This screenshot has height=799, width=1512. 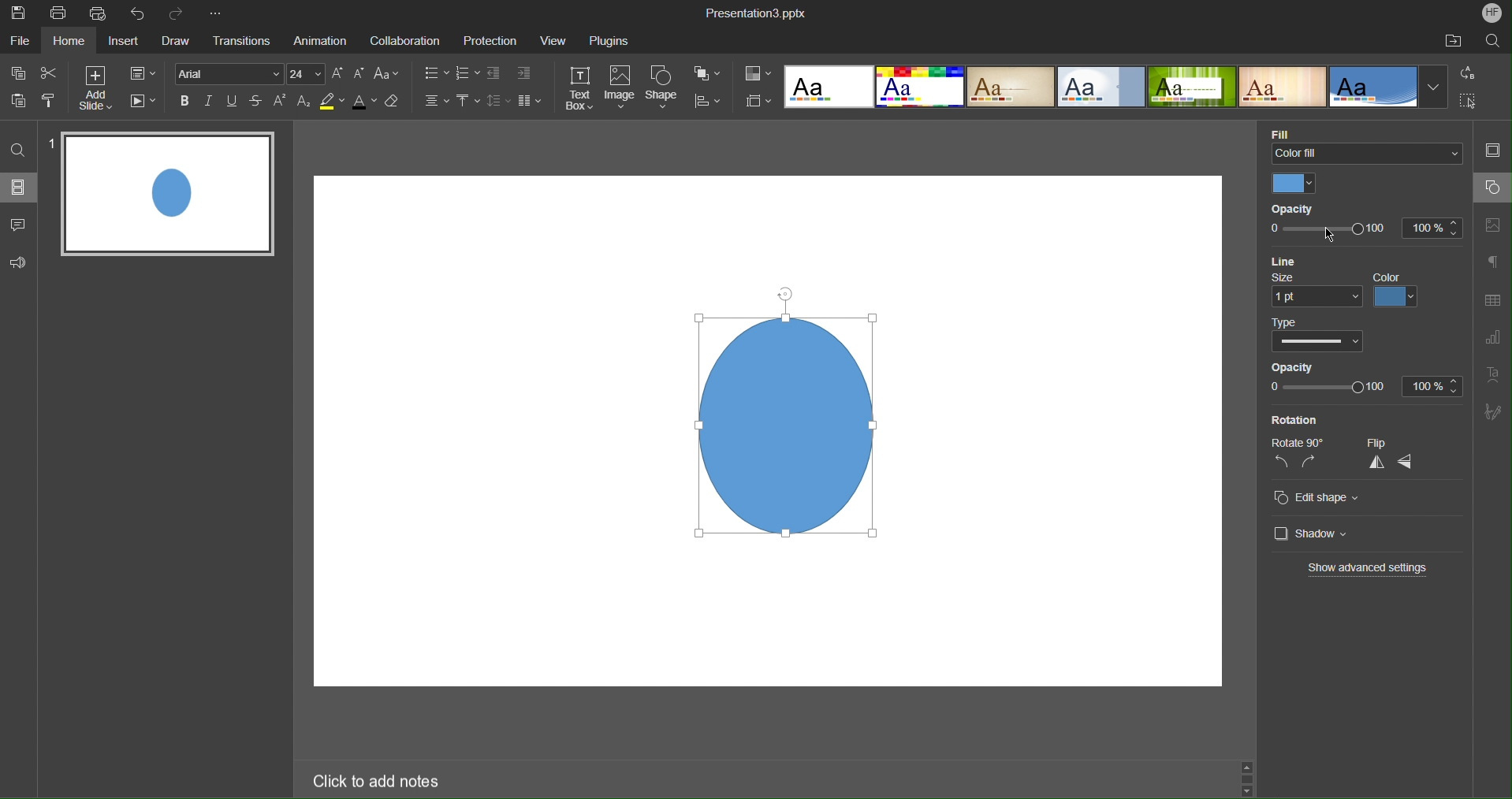 I want to click on Print, so click(x=58, y=12).